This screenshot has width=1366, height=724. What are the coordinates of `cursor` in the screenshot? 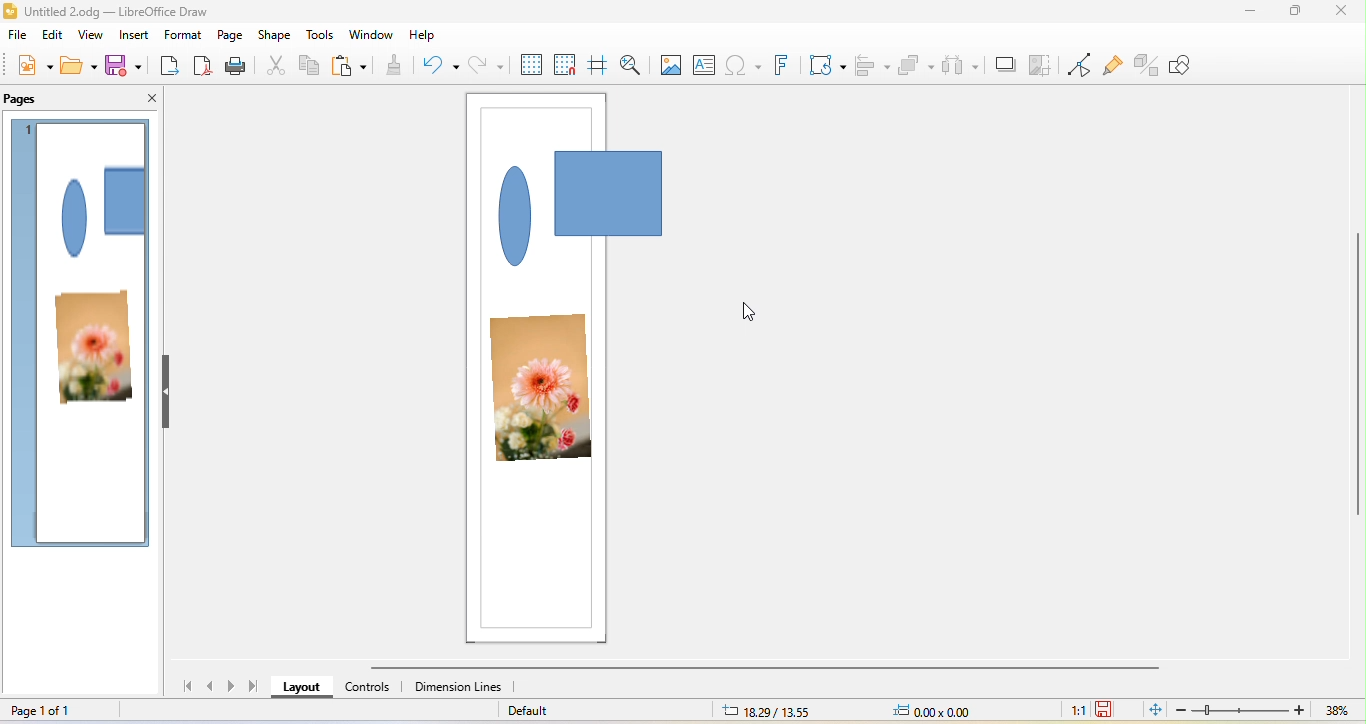 It's located at (746, 312).